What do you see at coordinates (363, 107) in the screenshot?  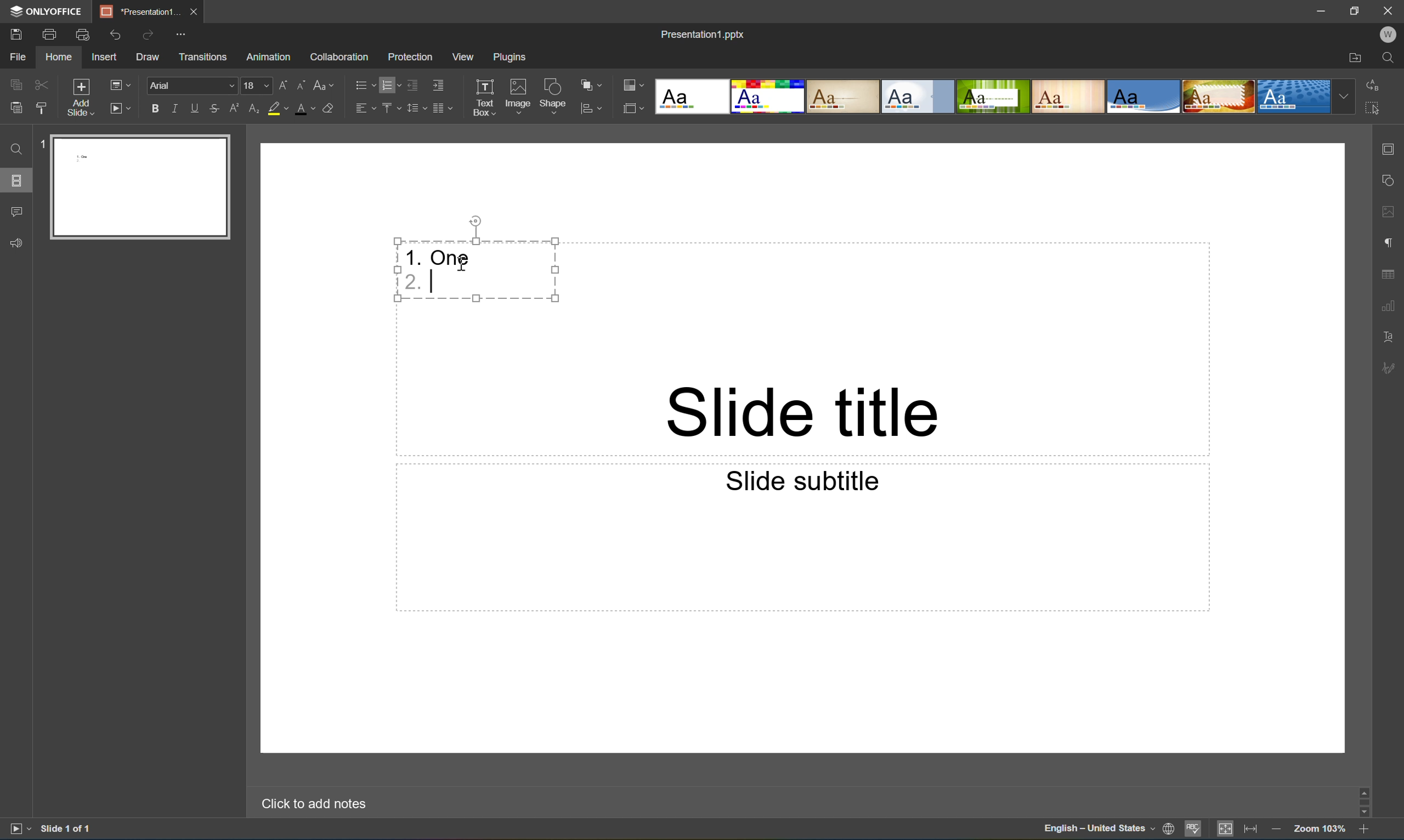 I see `Horizontal align` at bounding box center [363, 107].